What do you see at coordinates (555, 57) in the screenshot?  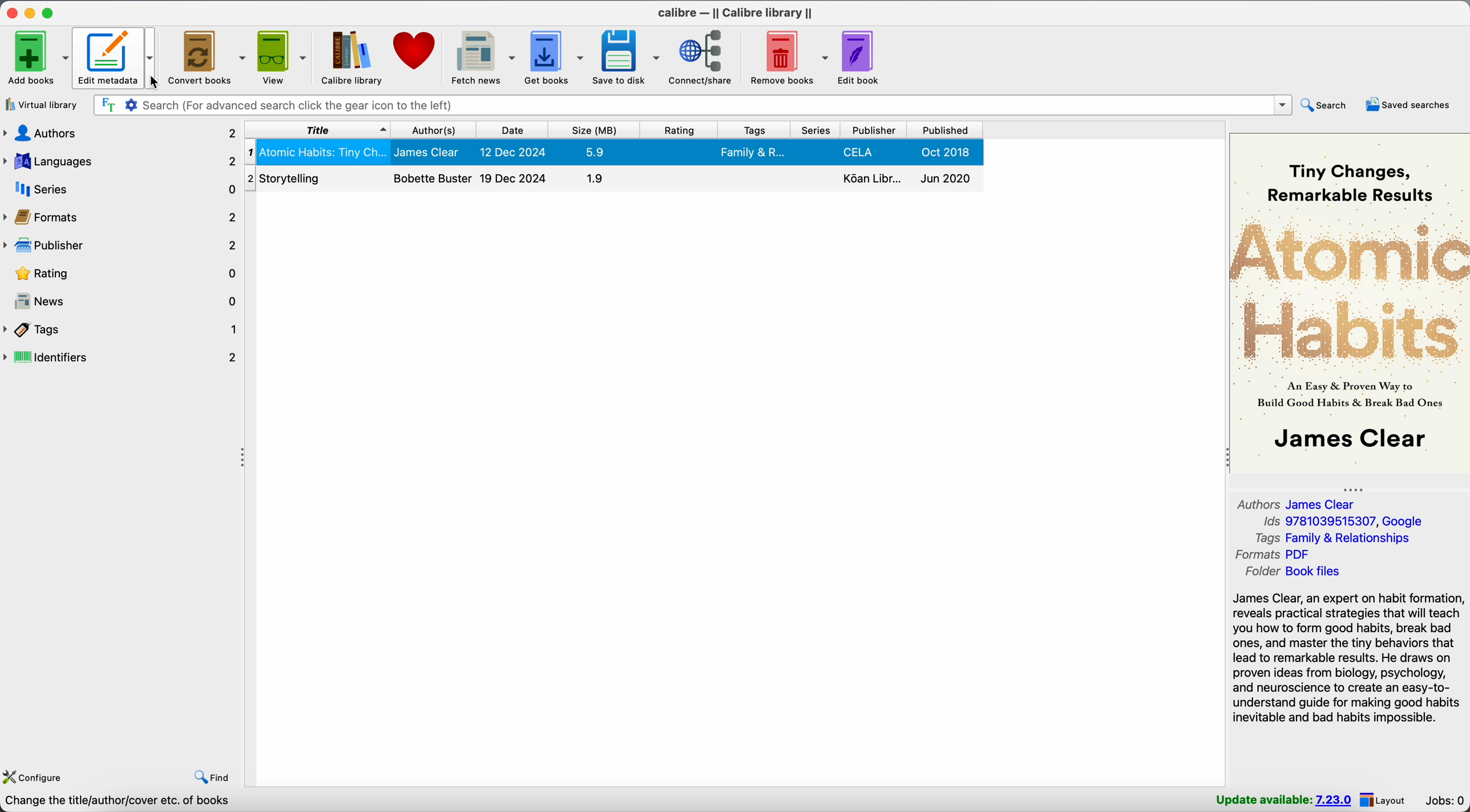 I see `get books` at bounding box center [555, 57].